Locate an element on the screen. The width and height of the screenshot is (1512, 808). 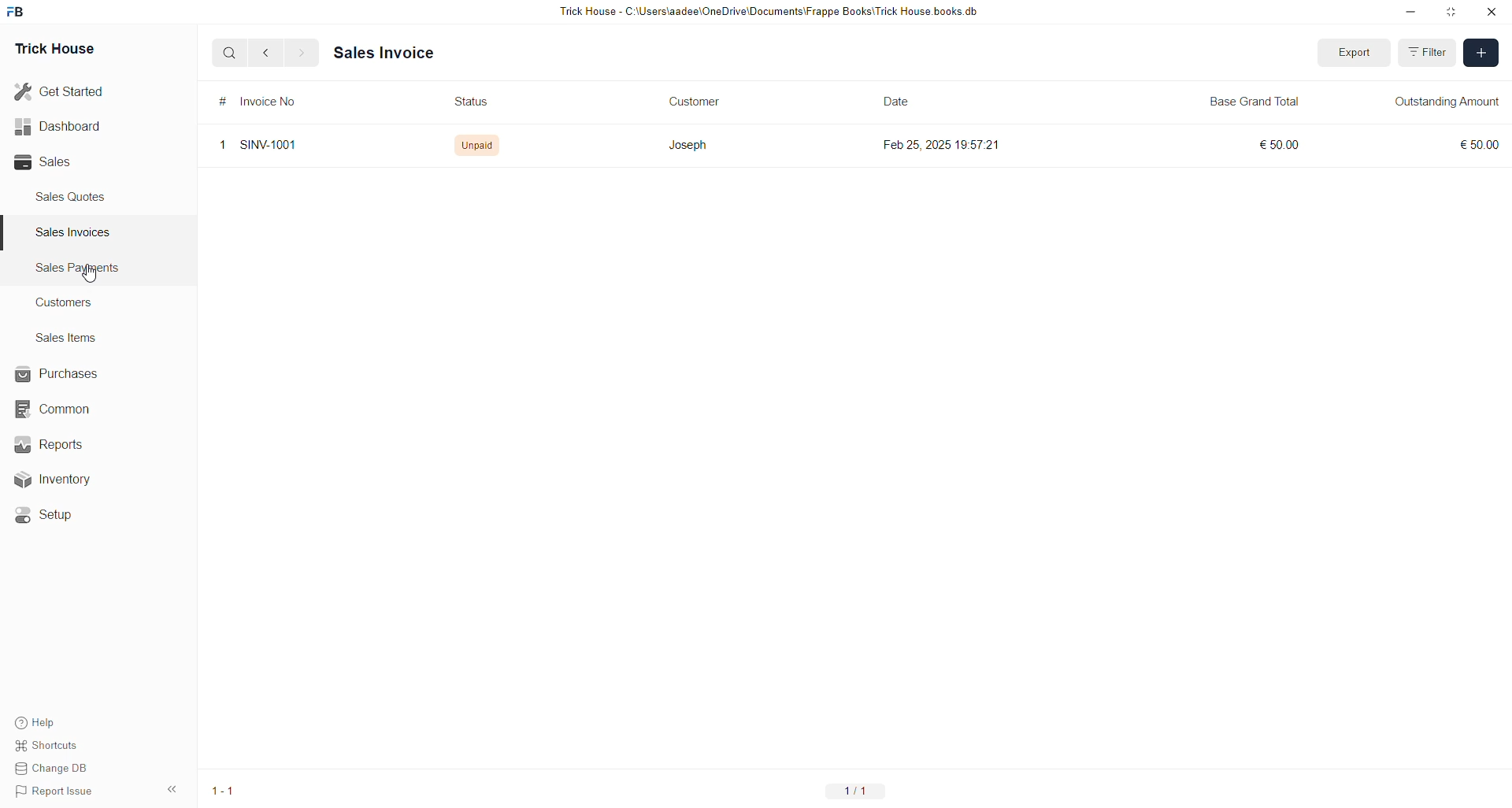
1-1 is located at coordinates (224, 790).